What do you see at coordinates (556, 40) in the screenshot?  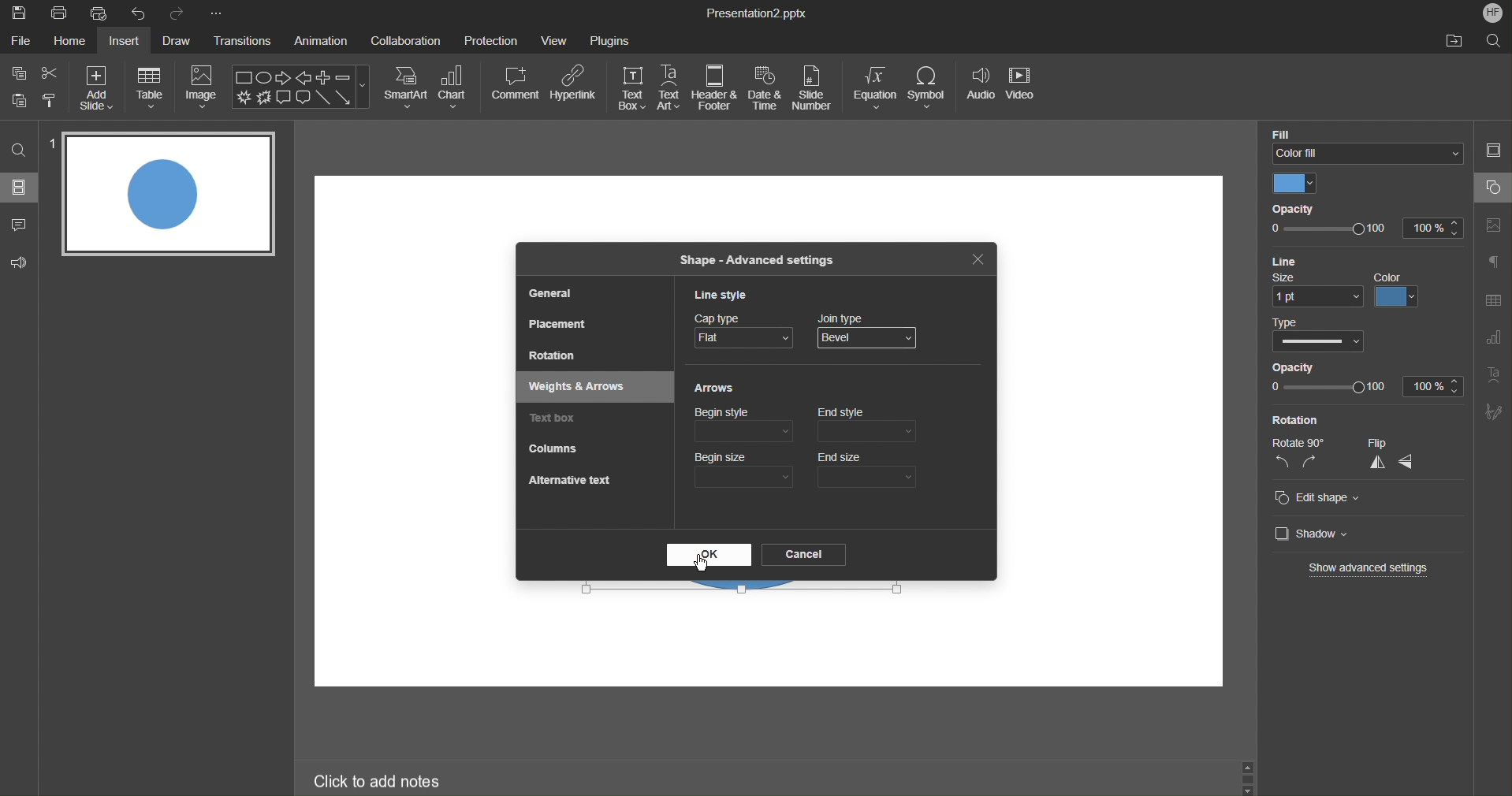 I see `View` at bounding box center [556, 40].